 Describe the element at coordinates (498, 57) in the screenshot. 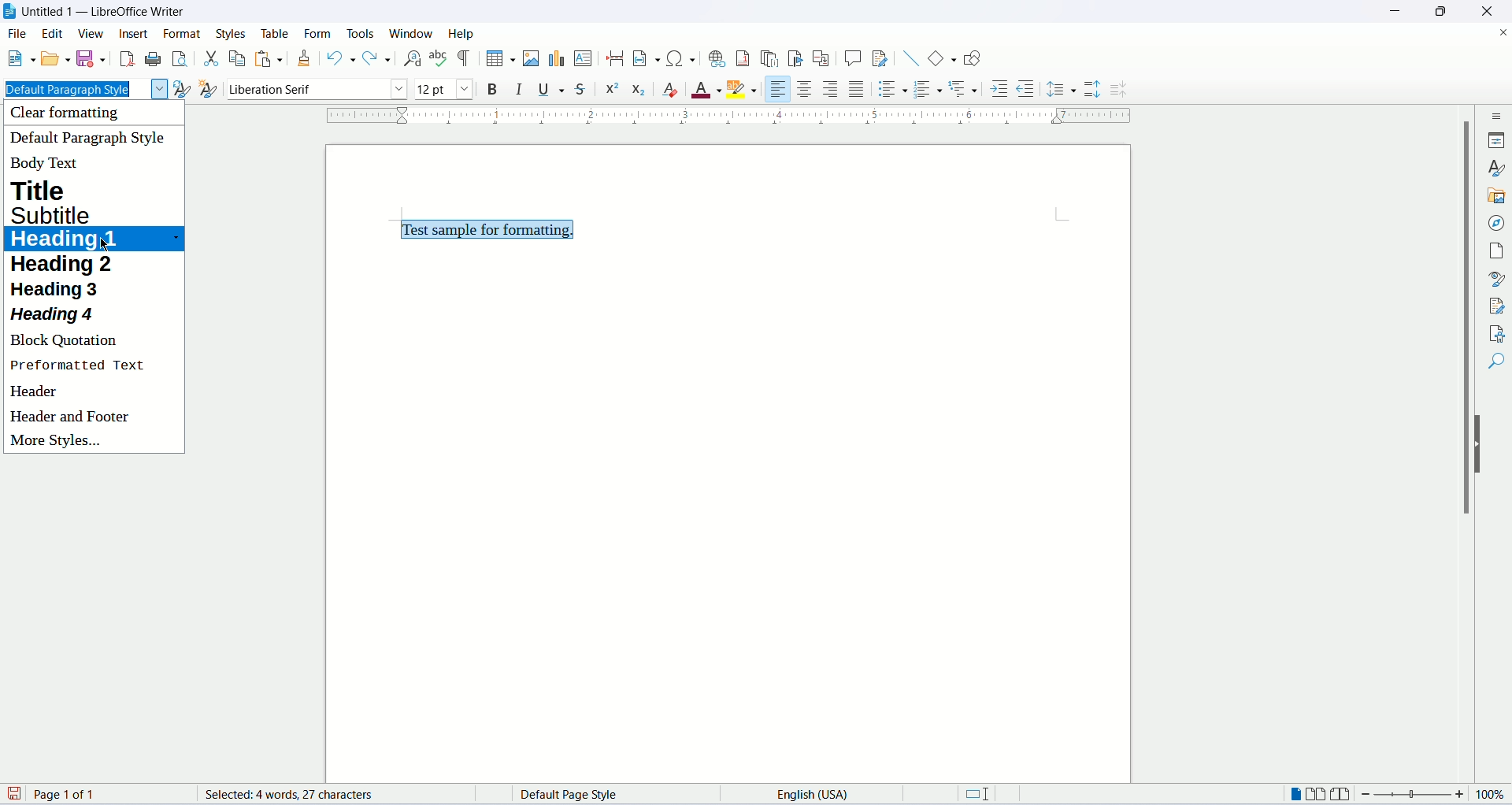

I see `insert table` at that location.